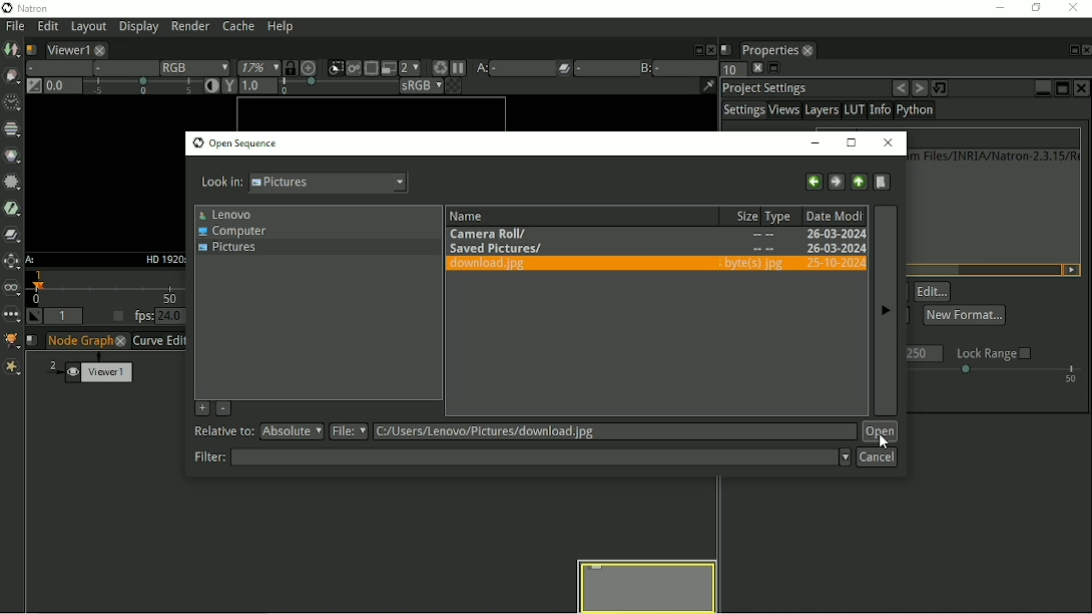 The image size is (1092, 614). I want to click on Preview, so click(648, 585).